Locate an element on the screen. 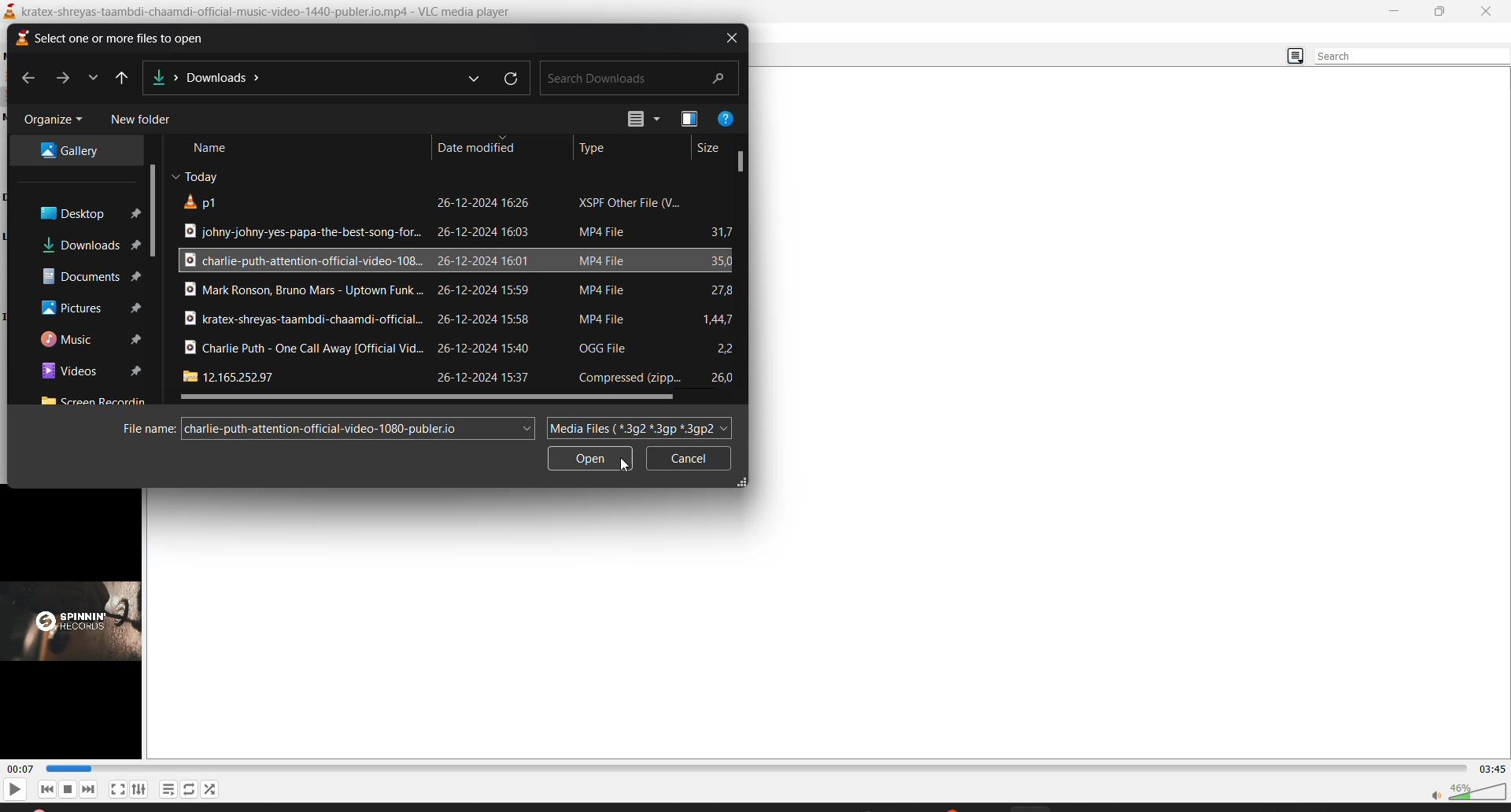 The height and width of the screenshot is (812, 1511). organize is located at coordinates (57, 121).